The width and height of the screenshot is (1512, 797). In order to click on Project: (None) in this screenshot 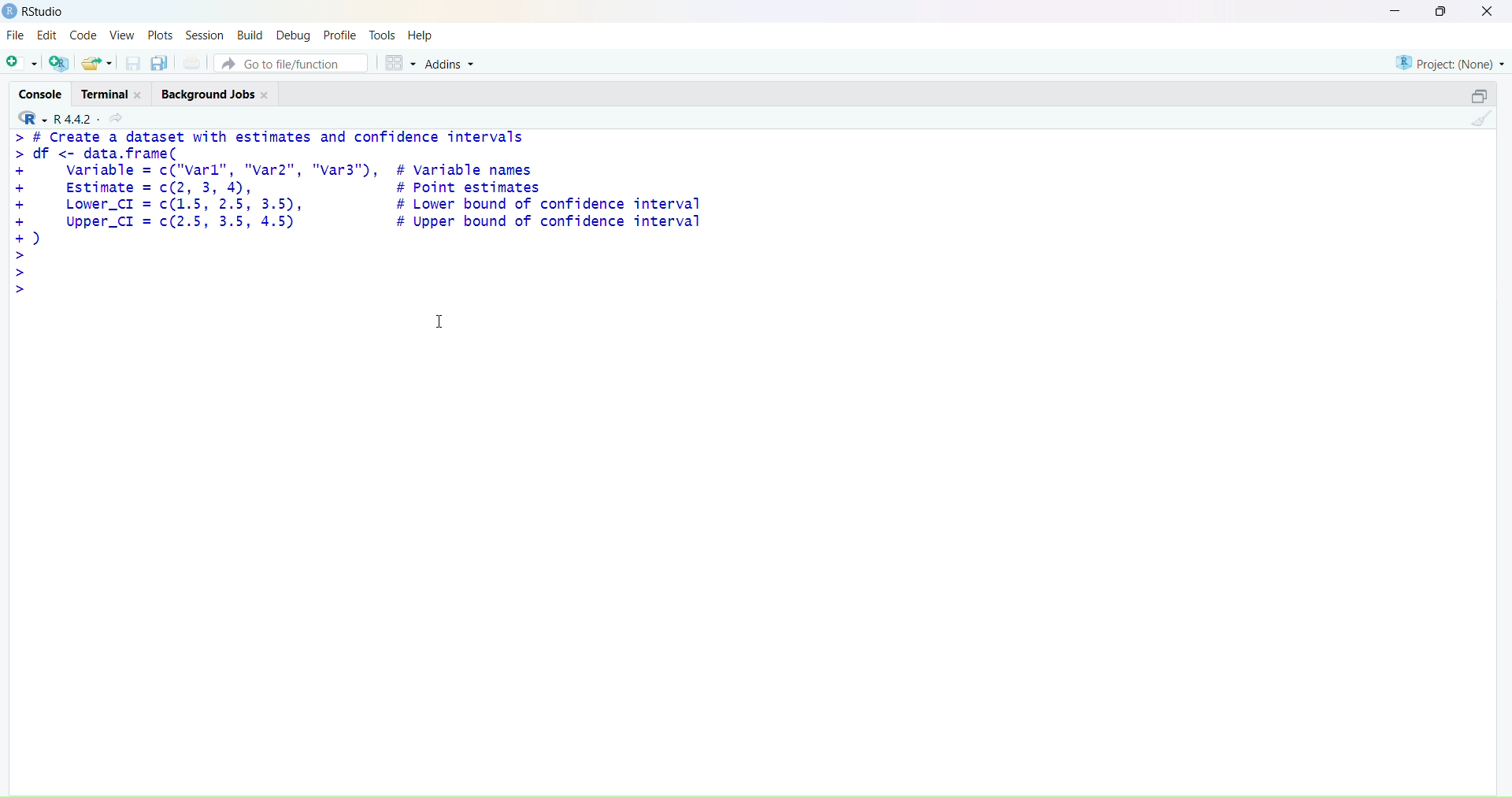, I will do `click(1450, 61)`.